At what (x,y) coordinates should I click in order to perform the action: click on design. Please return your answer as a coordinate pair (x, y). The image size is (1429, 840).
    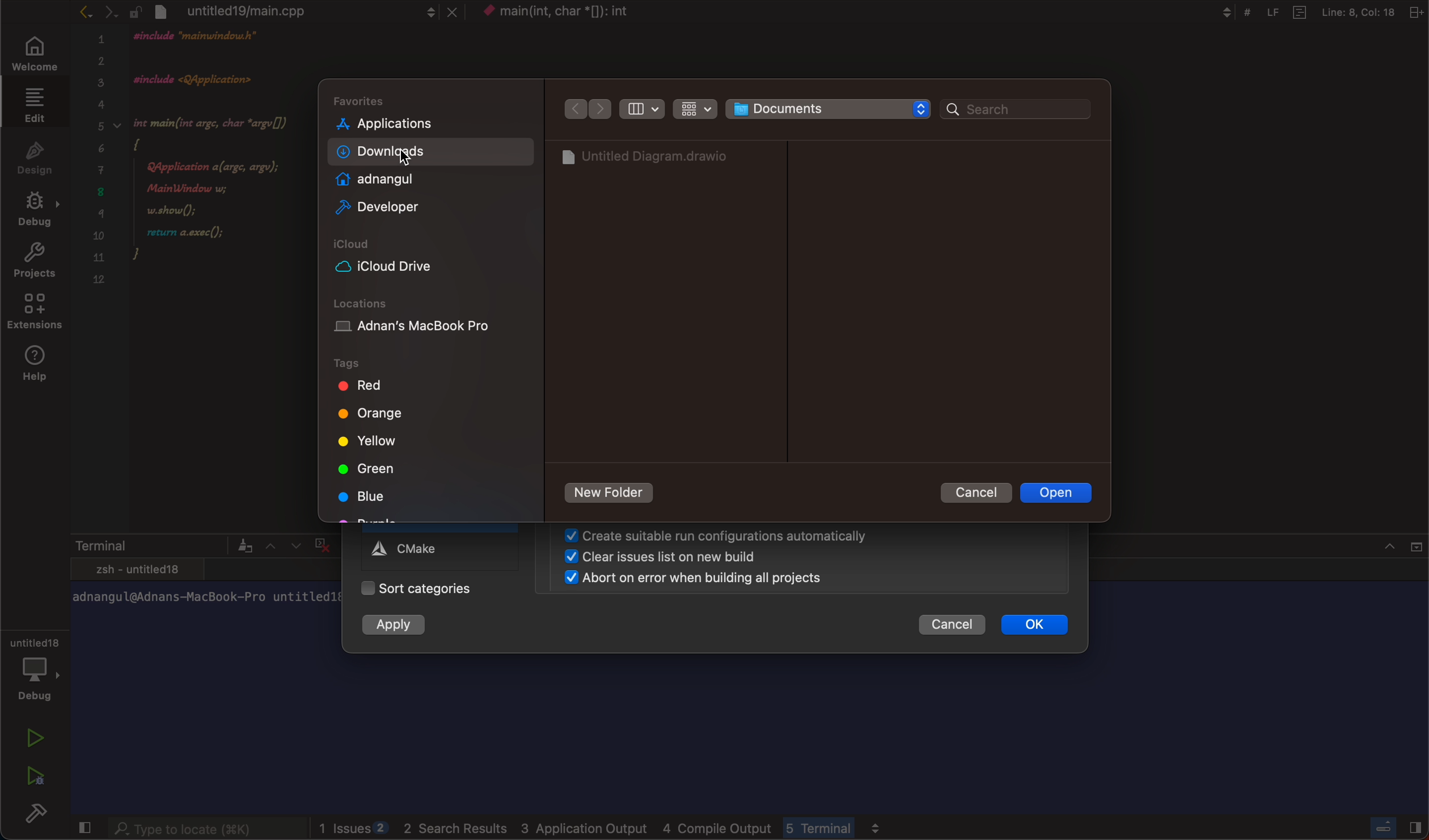
    Looking at the image, I should click on (36, 155).